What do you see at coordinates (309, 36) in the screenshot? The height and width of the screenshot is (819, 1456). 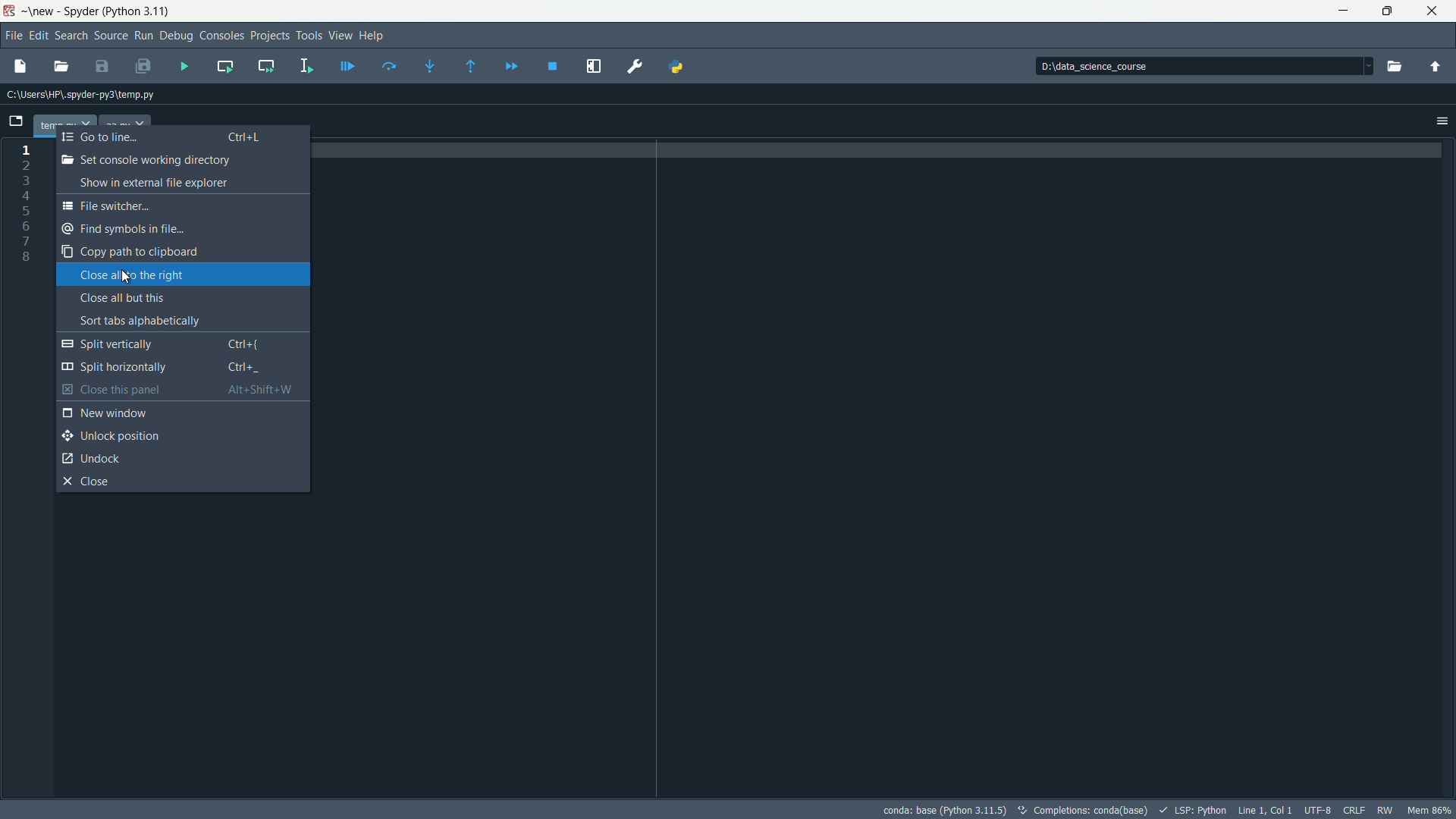 I see `tools menu` at bounding box center [309, 36].